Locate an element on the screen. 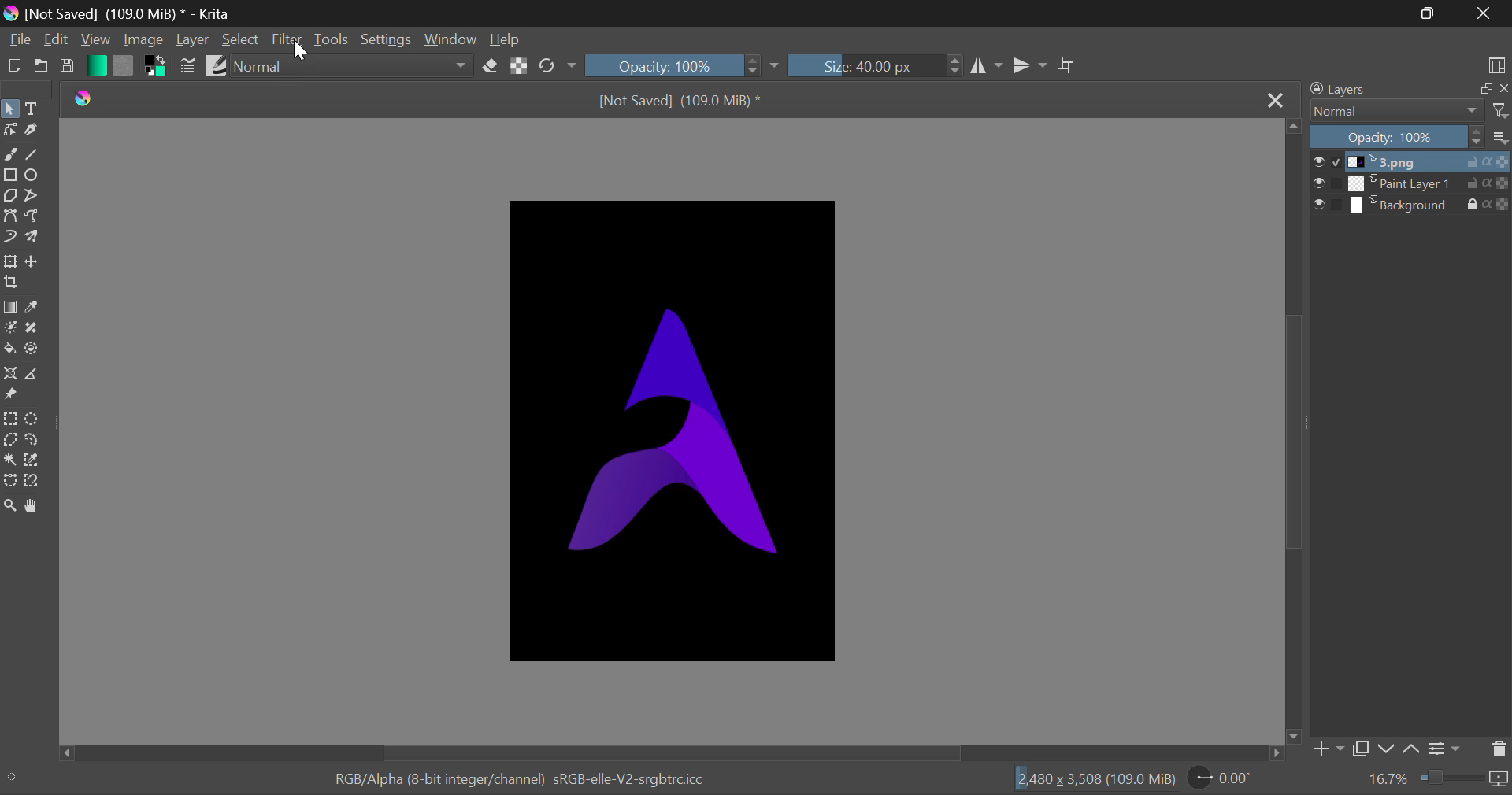 The width and height of the screenshot is (1512, 795). Enclose and Fill is located at coordinates (33, 351).